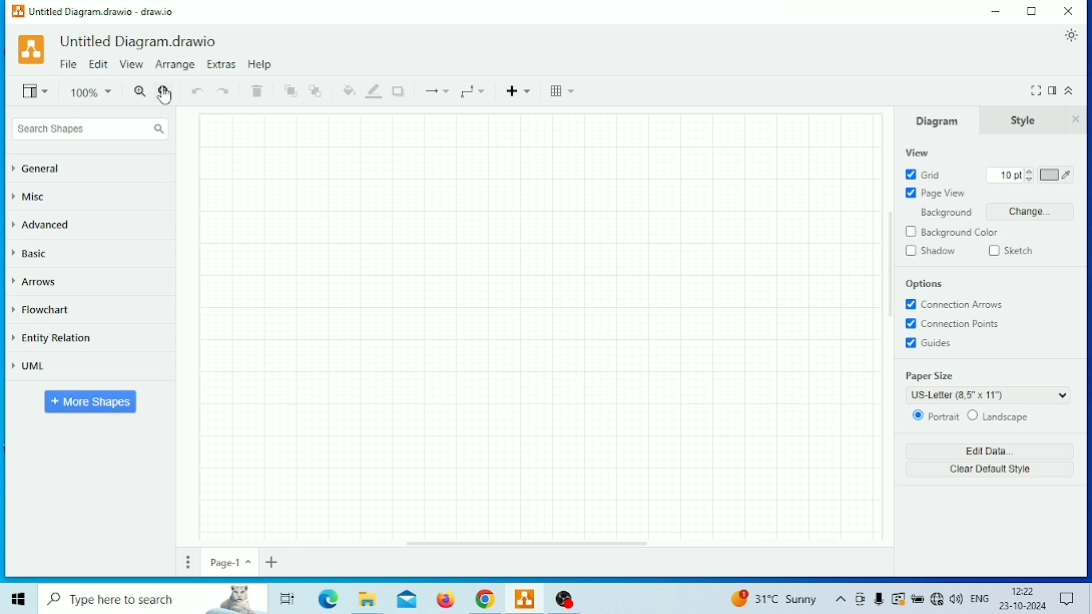 This screenshot has width=1092, height=614. What do you see at coordinates (436, 91) in the screenshot?
I see `Connection` at bounding box center [436, 91].